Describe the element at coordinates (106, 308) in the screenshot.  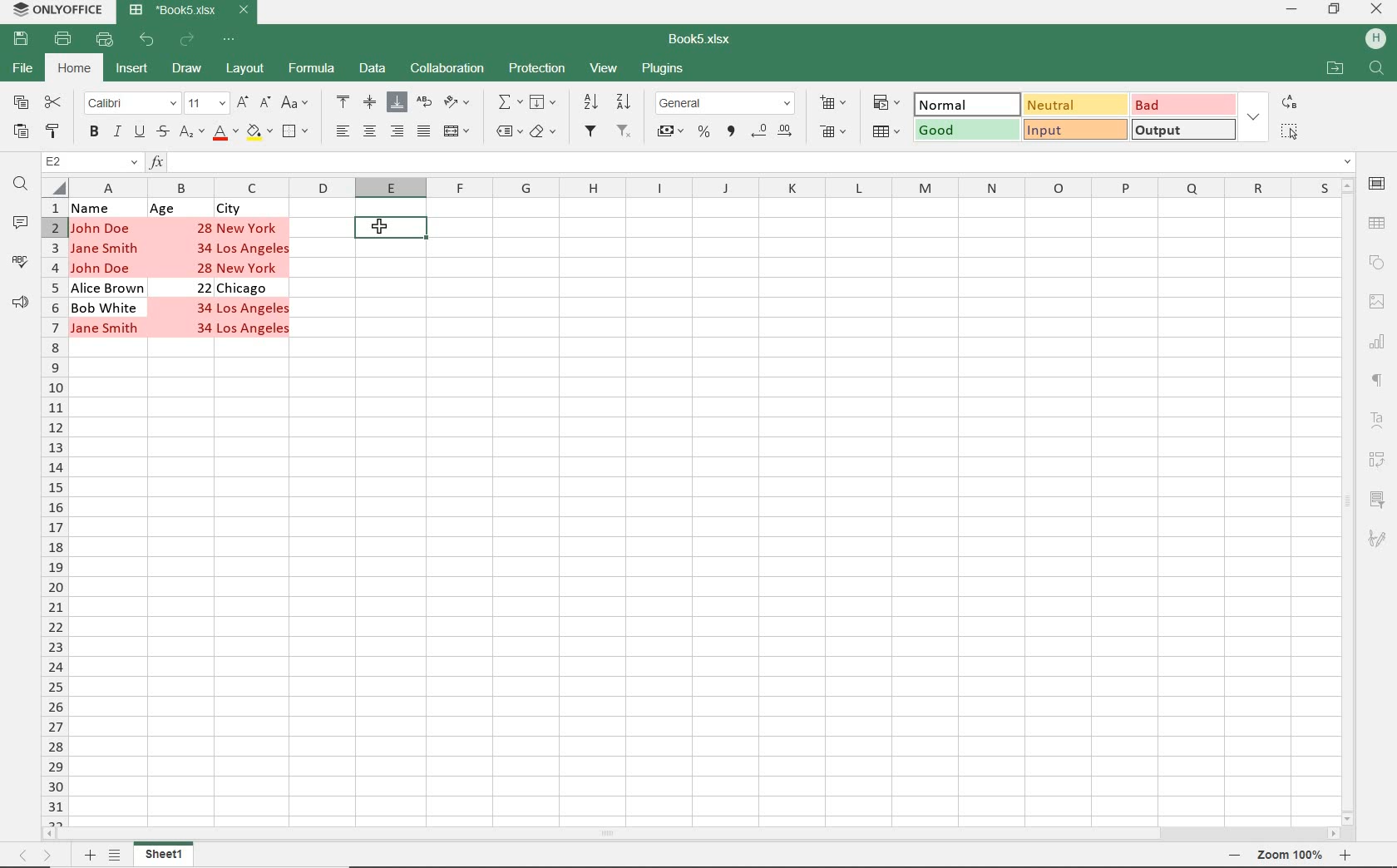
I see `Bob White` at that location.